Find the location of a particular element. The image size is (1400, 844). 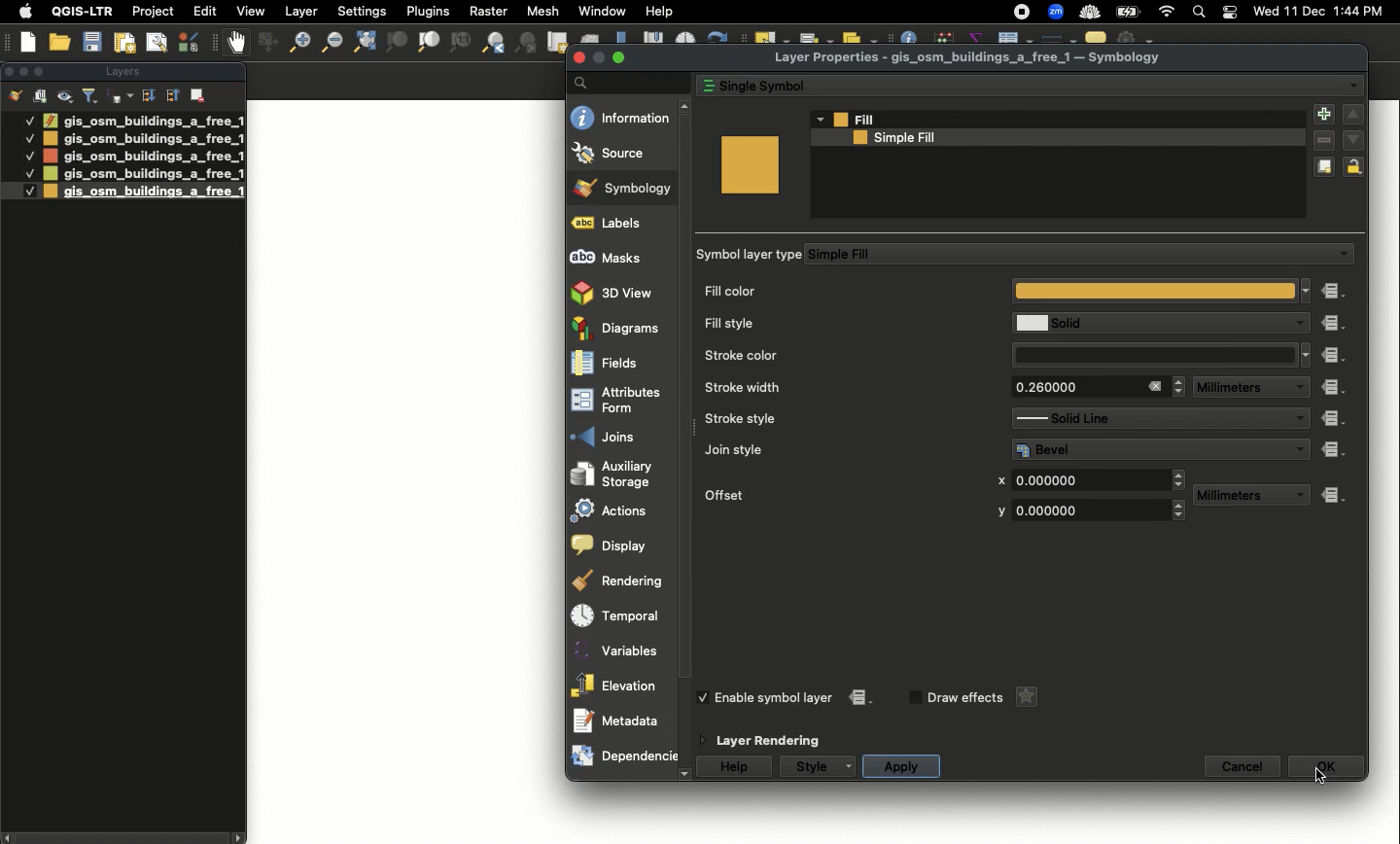

Minimize is located at coordinates (22, 70).